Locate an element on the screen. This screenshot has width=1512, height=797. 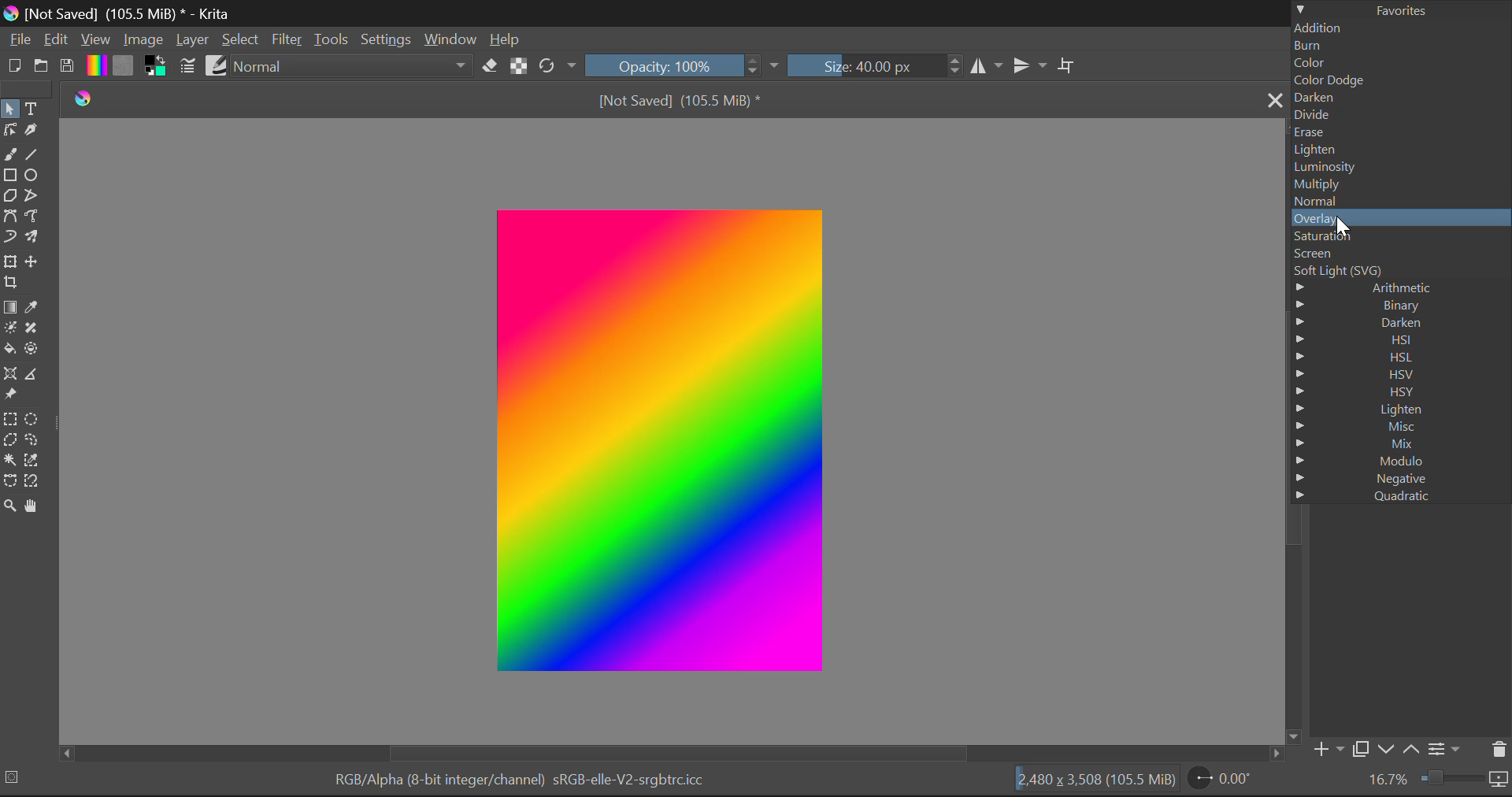
12,480 x 3,508 (105.5 MiB) is located at coordinates (1099, 780).